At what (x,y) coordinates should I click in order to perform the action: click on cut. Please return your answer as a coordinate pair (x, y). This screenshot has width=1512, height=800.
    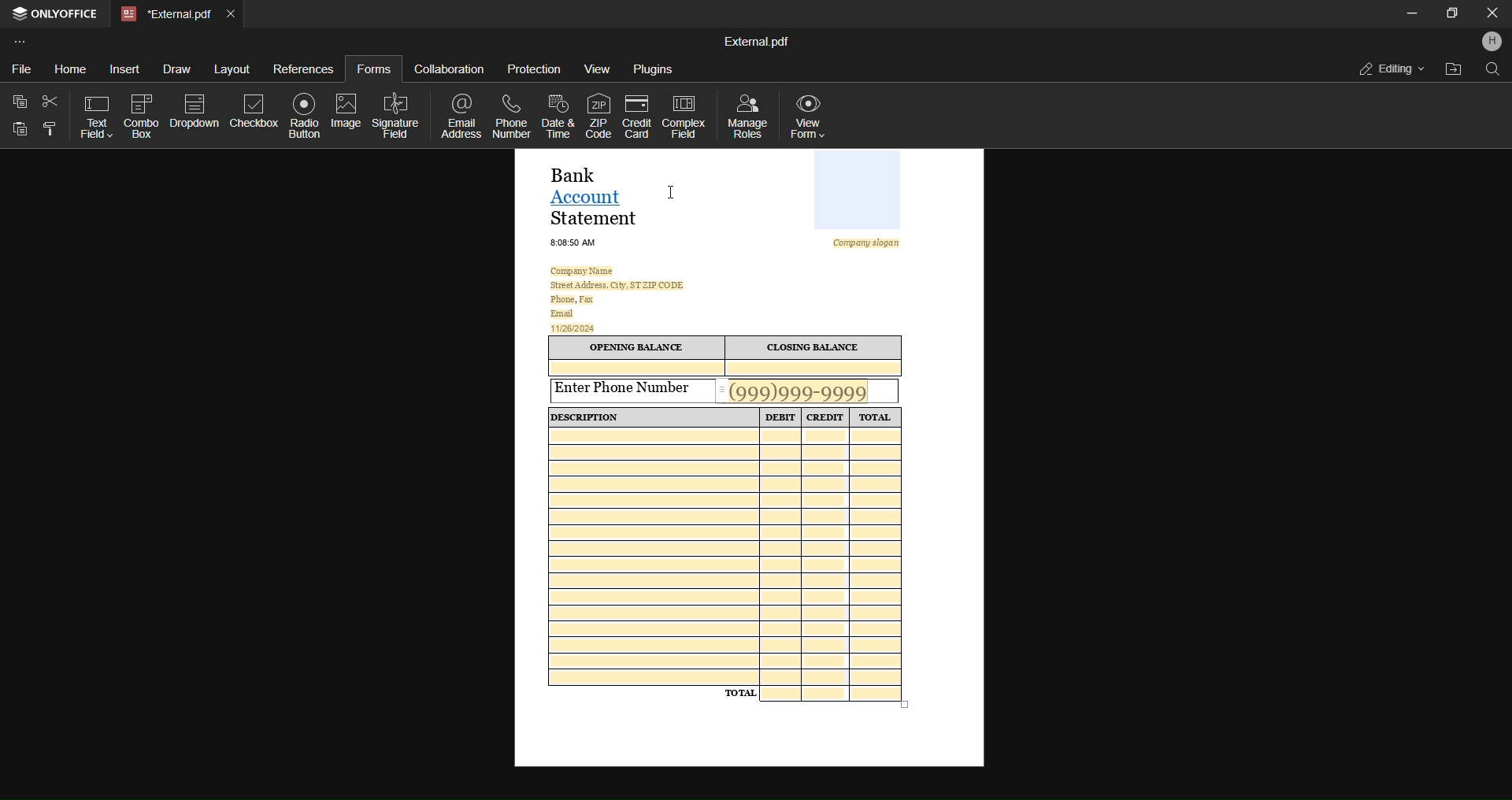
    Looking at the image, I should click on (50, 98).